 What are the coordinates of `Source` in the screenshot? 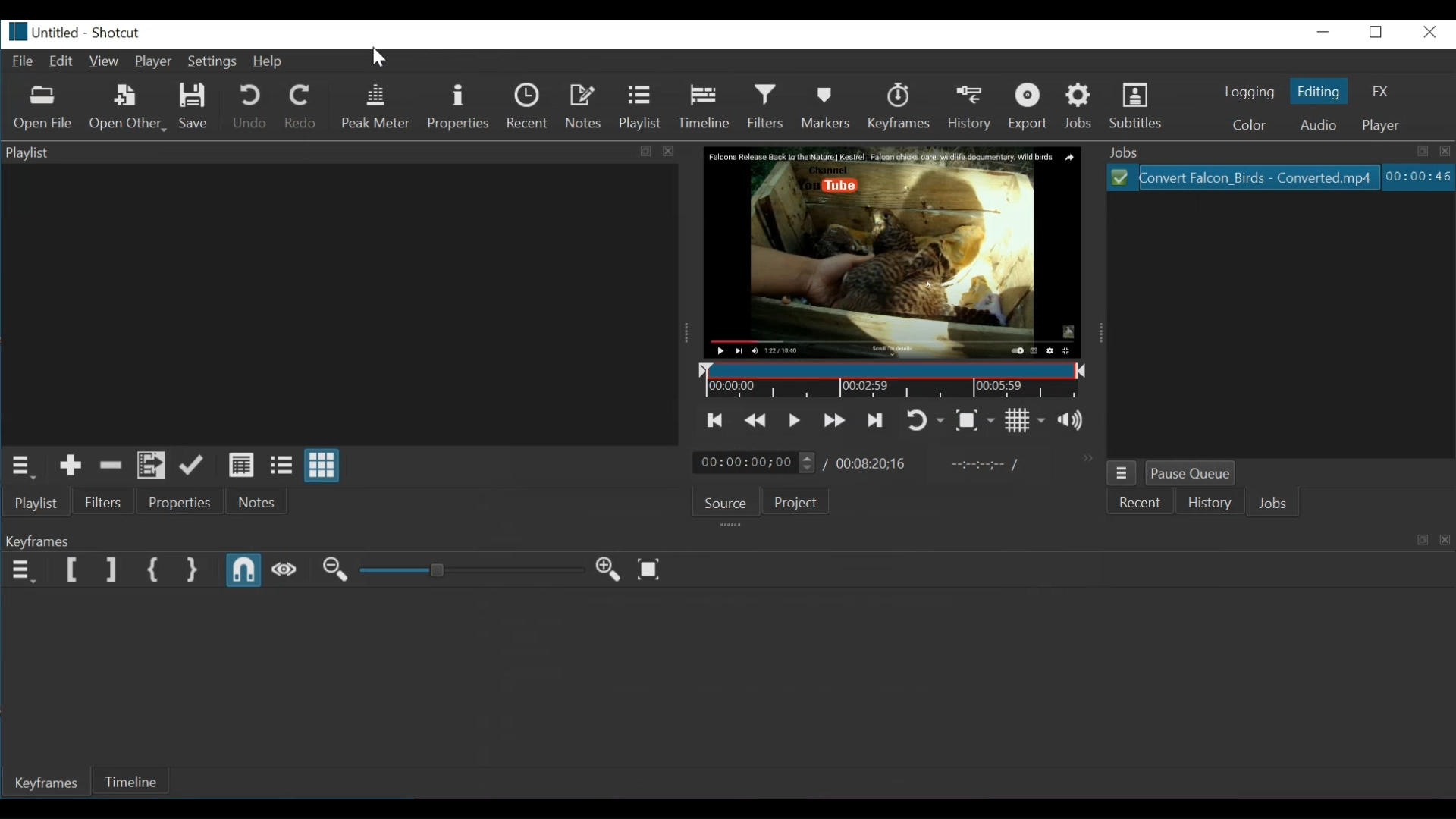 It's located at (727, 504).